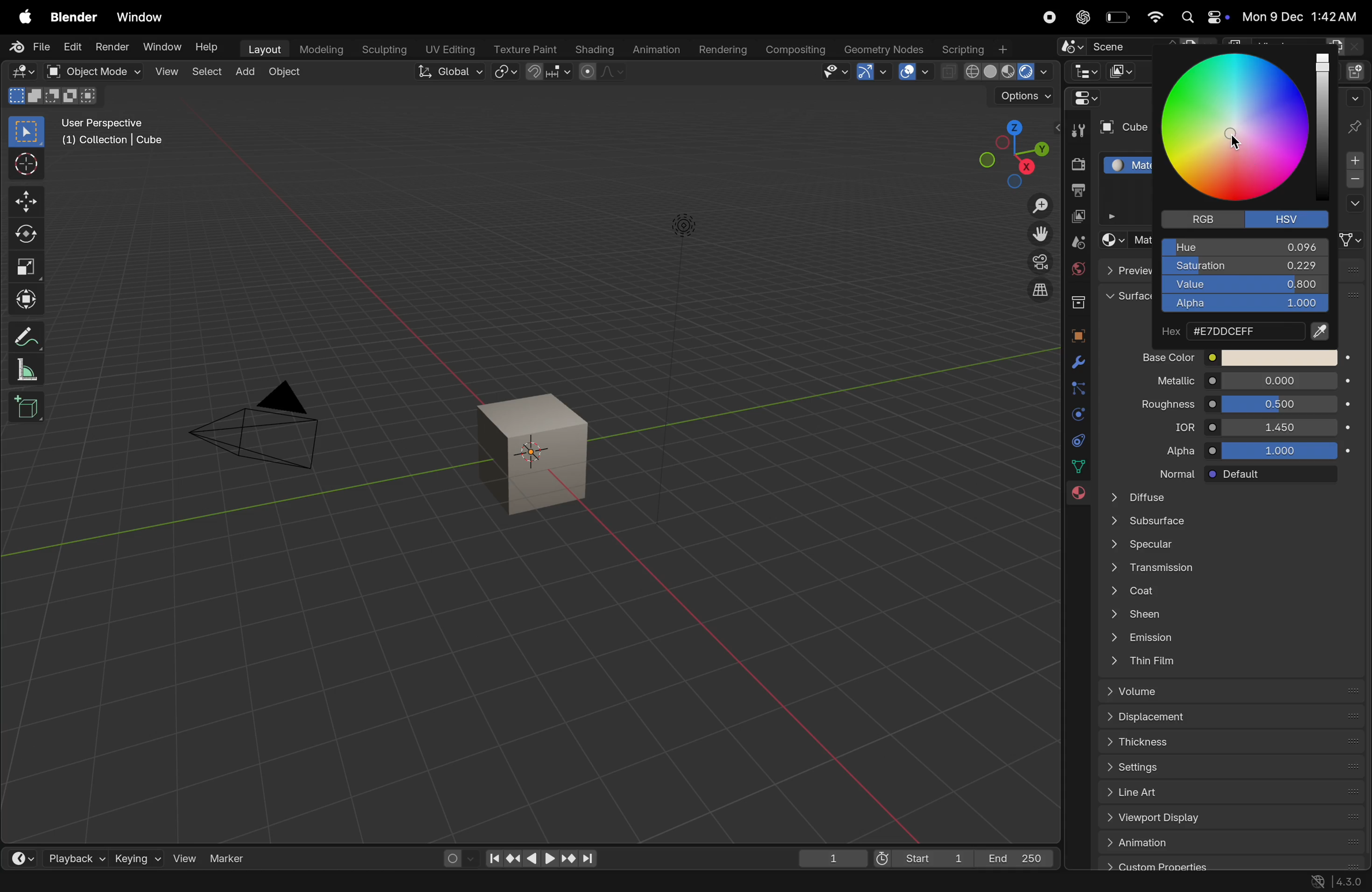  What do you see at coordinates (1358, 70) in the screenshot?
I see `new collection` at bounding box center [1358, 70].